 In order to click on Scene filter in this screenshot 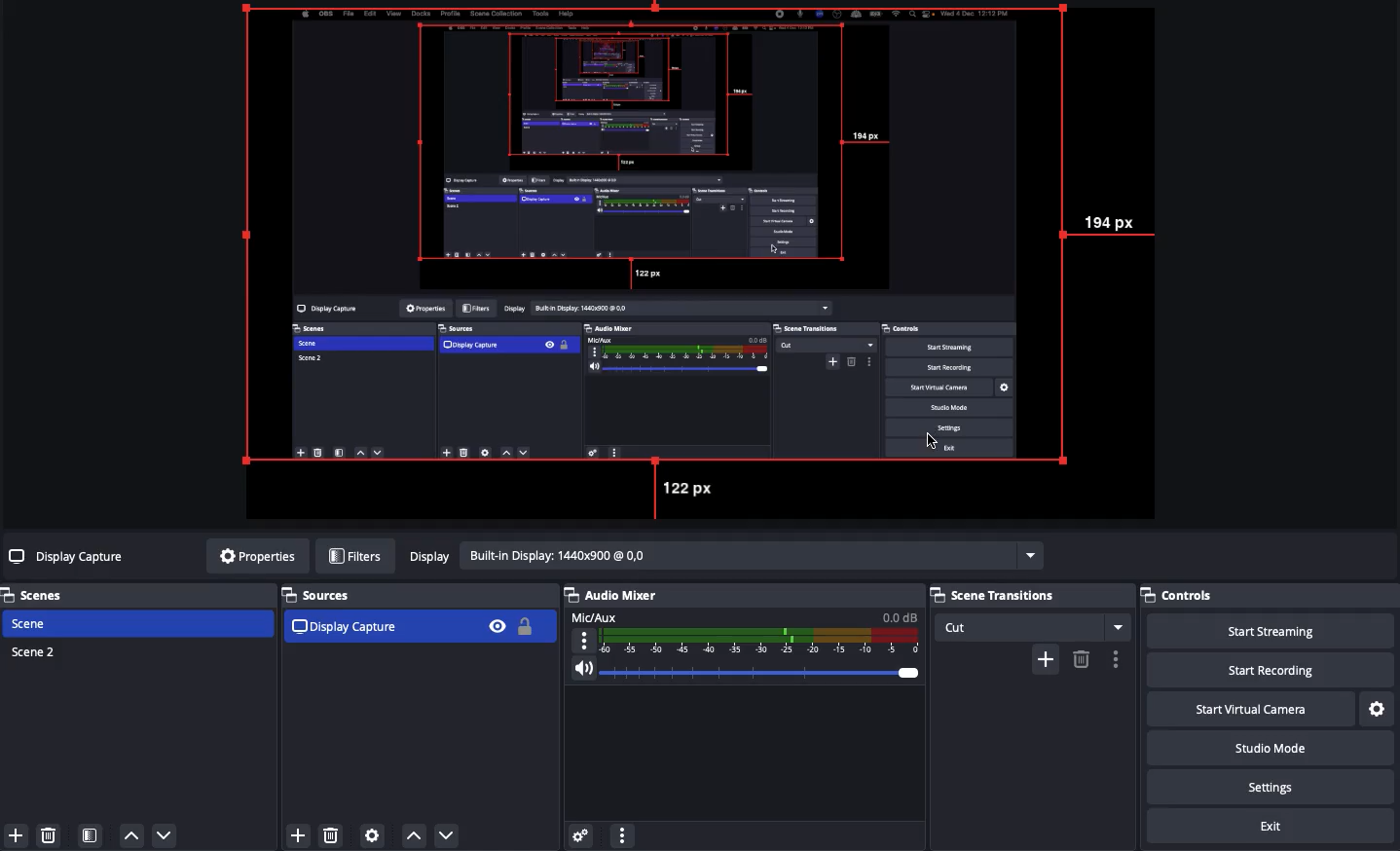, I will do `click(91, 836)`.